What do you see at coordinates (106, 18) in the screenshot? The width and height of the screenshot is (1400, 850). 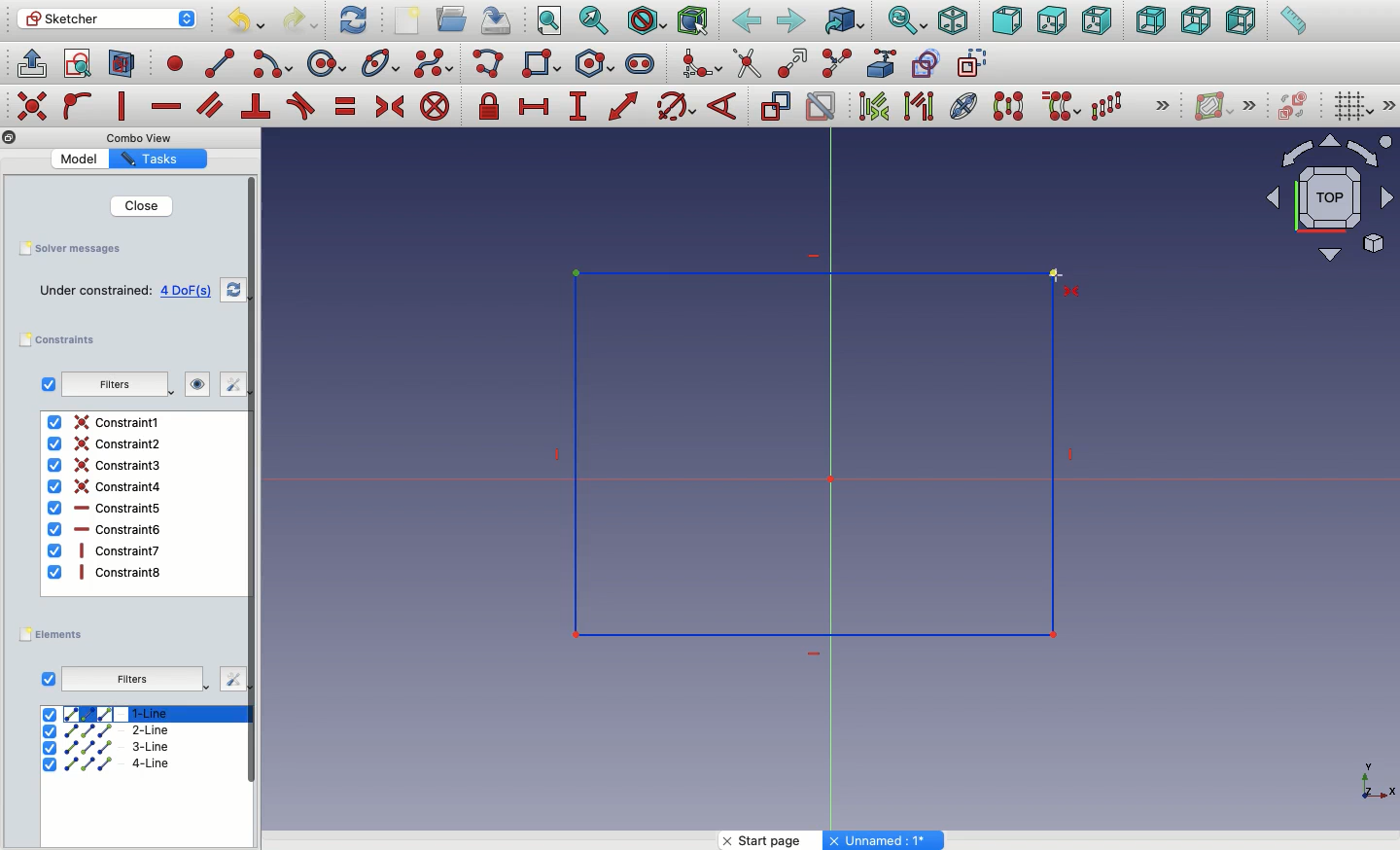 I see `Sketcher - Workbench` at bounding box center [106, 18].